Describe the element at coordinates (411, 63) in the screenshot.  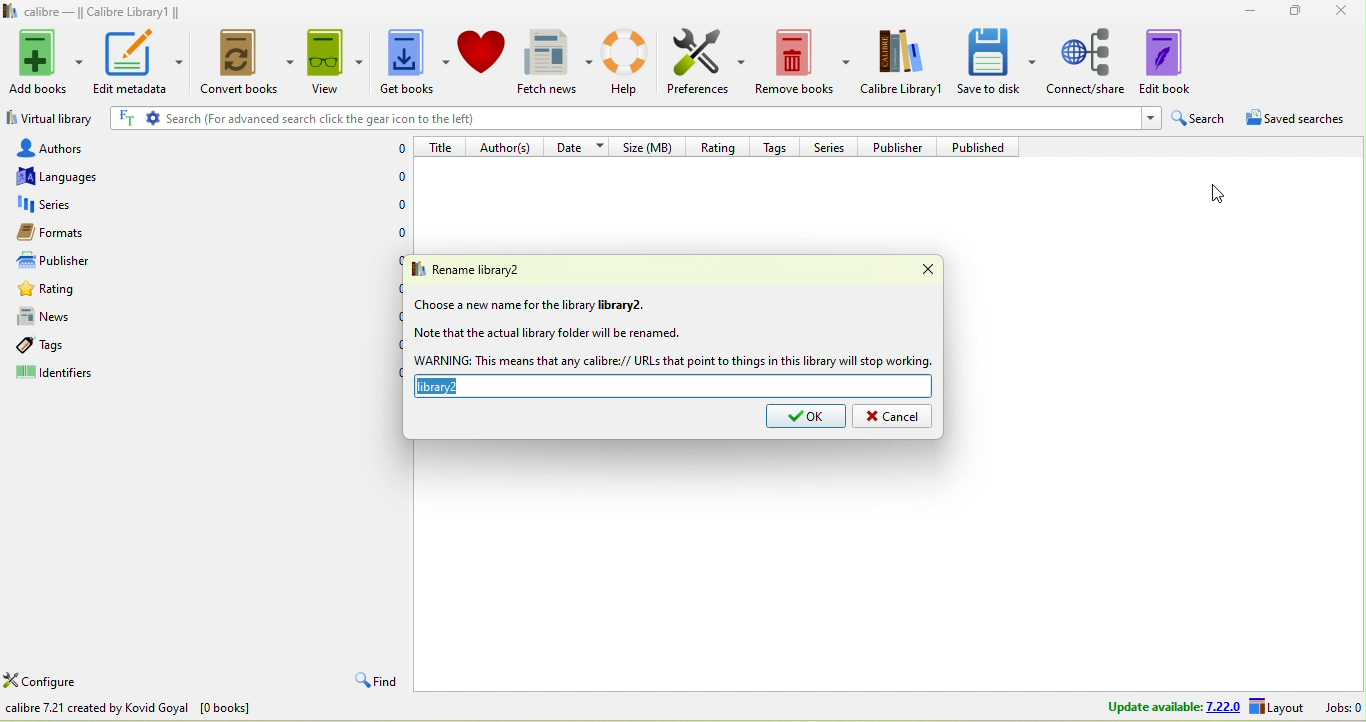
I see `get books` at that location.